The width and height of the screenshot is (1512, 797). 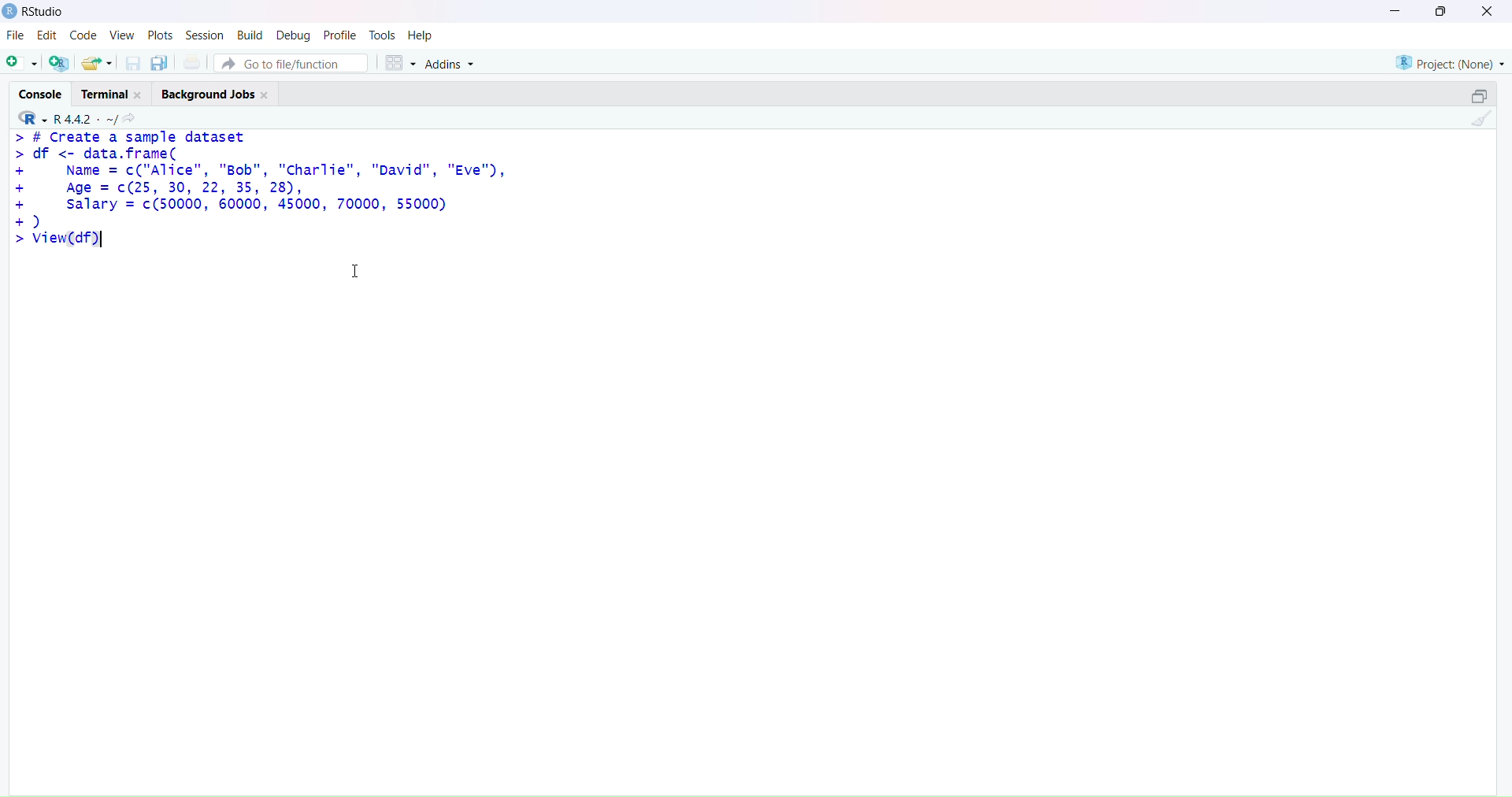 What do you see at coordinates (290, 65) in the screenshot?
I see `go to file/function` at bounding box center [290, 65].